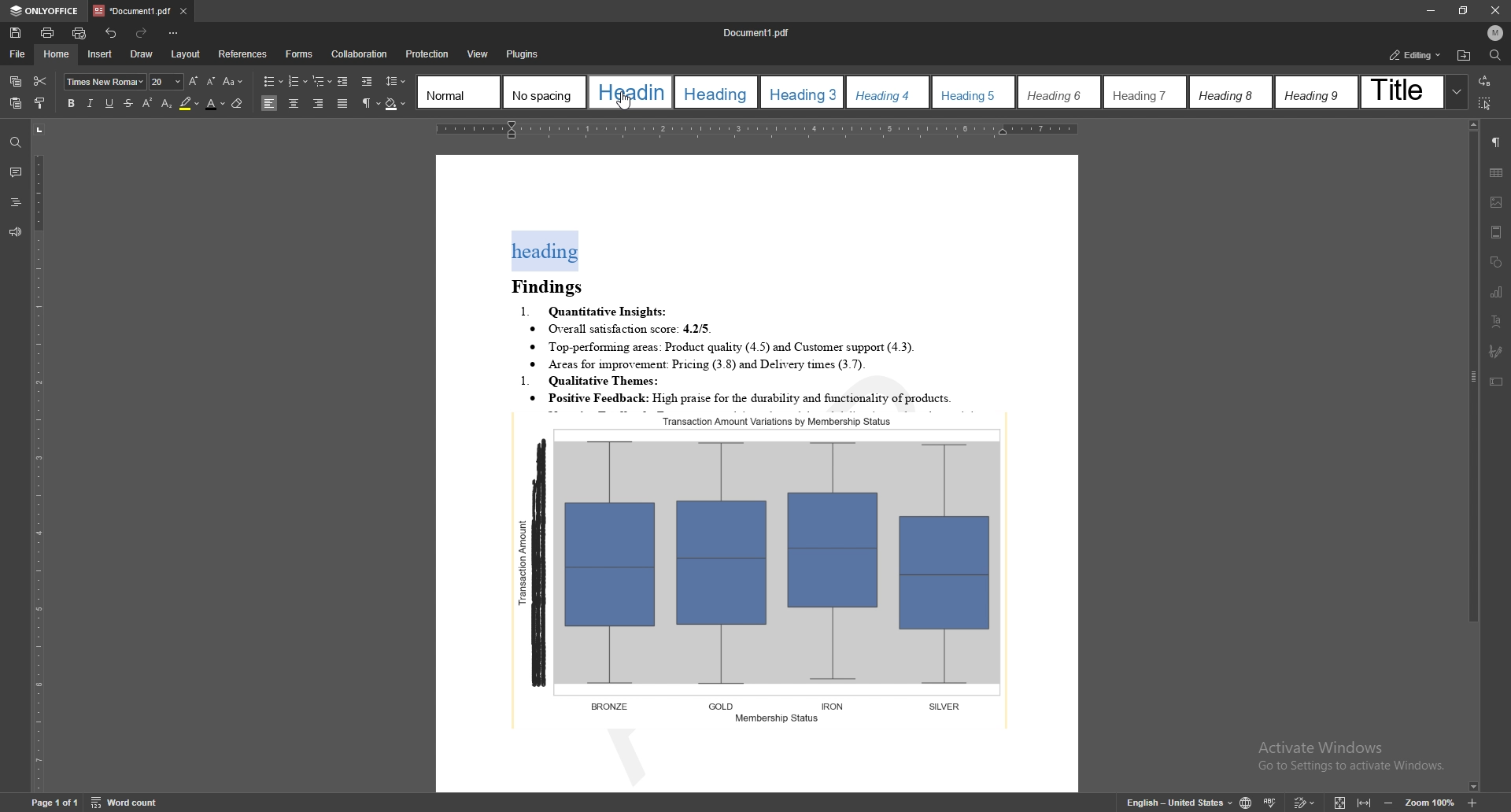 The image size is (1511, 812). I want to click on line spacing, so click(396, 81).